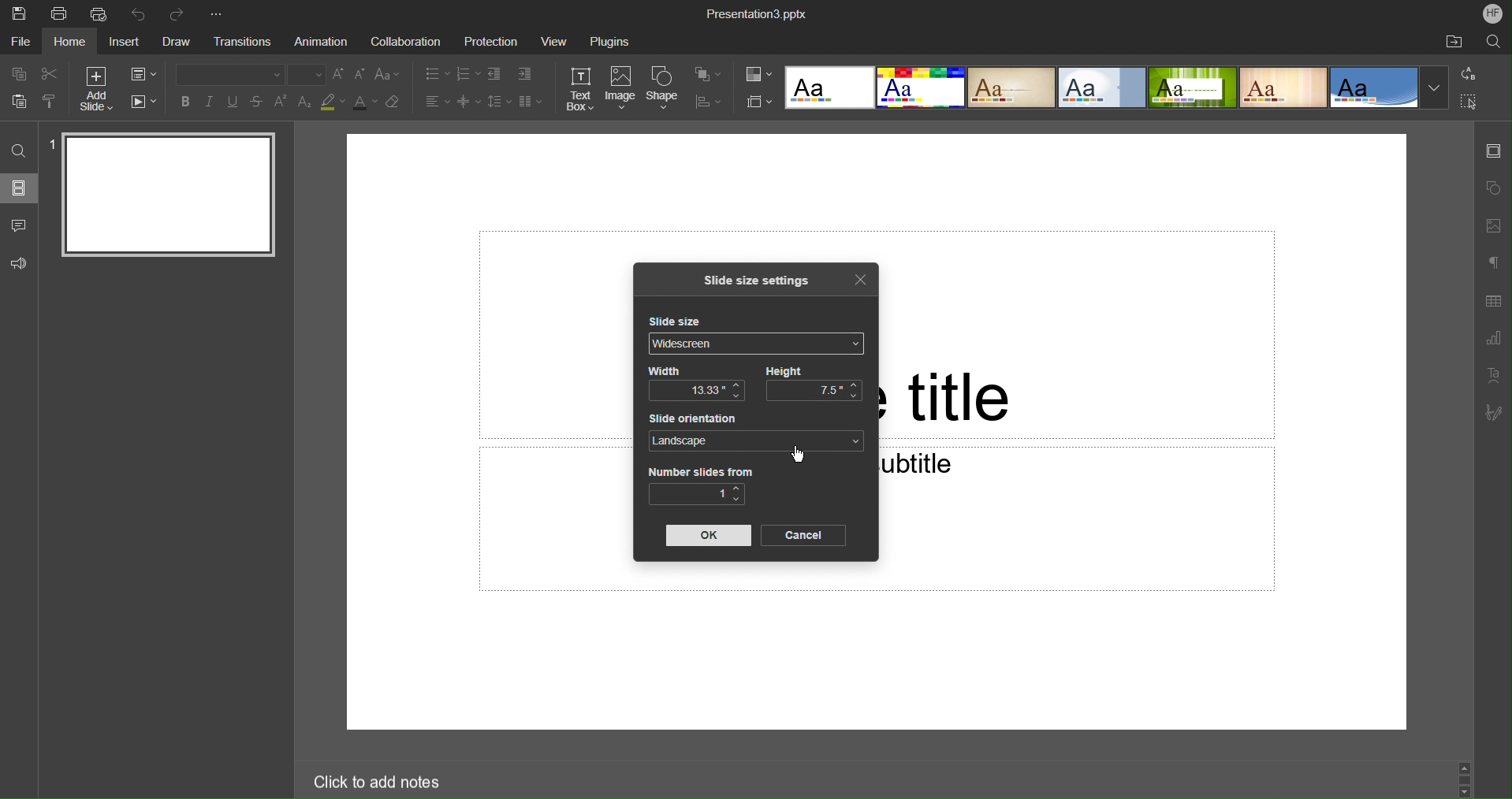 This screenshot has height=799, width=1512. Describe the element at coordinates (436, 101) in the screenshot. I see `Alignment` at that location.